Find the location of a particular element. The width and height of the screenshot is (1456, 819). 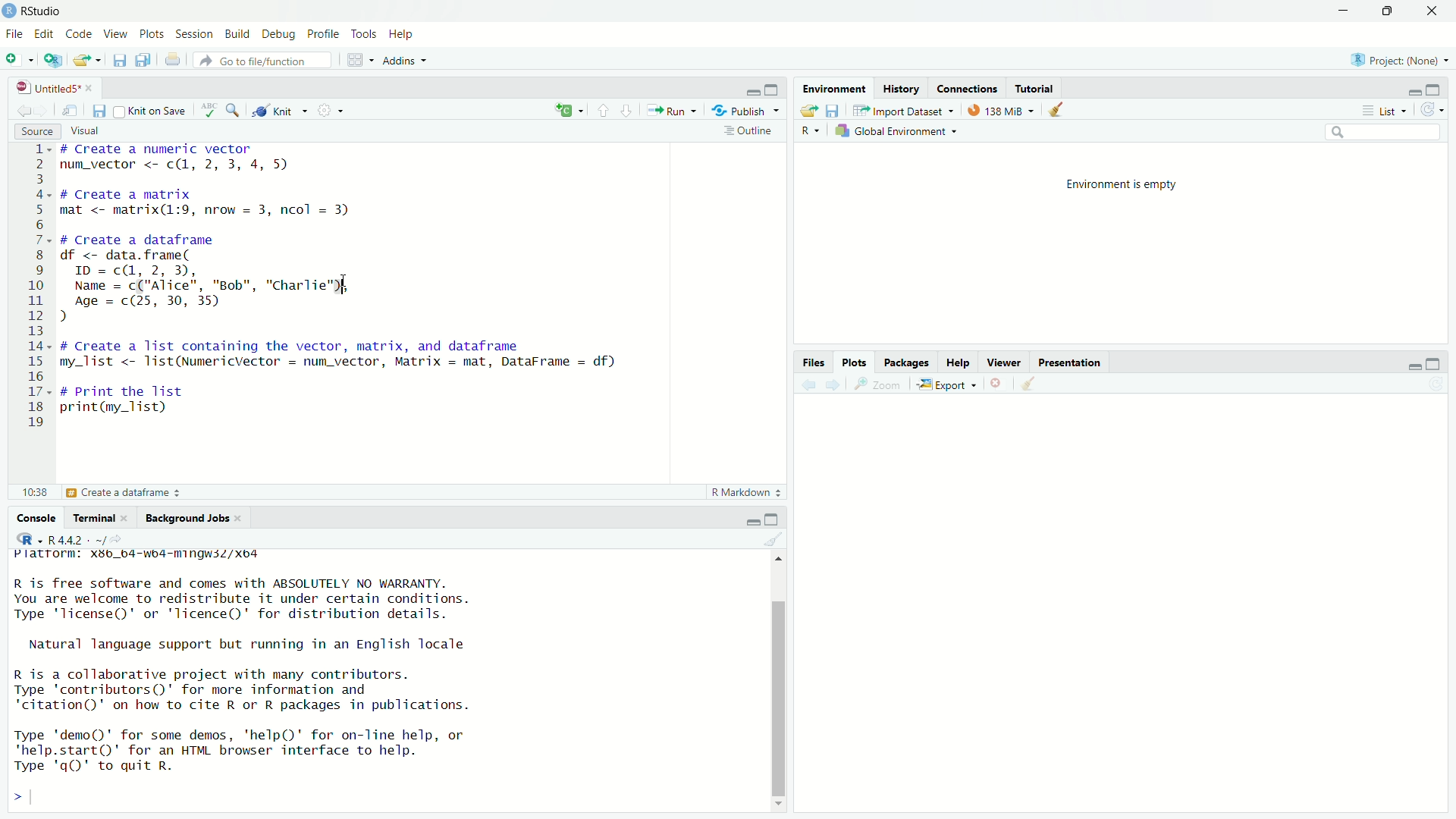

Plots is located at coordinates (857, 362).